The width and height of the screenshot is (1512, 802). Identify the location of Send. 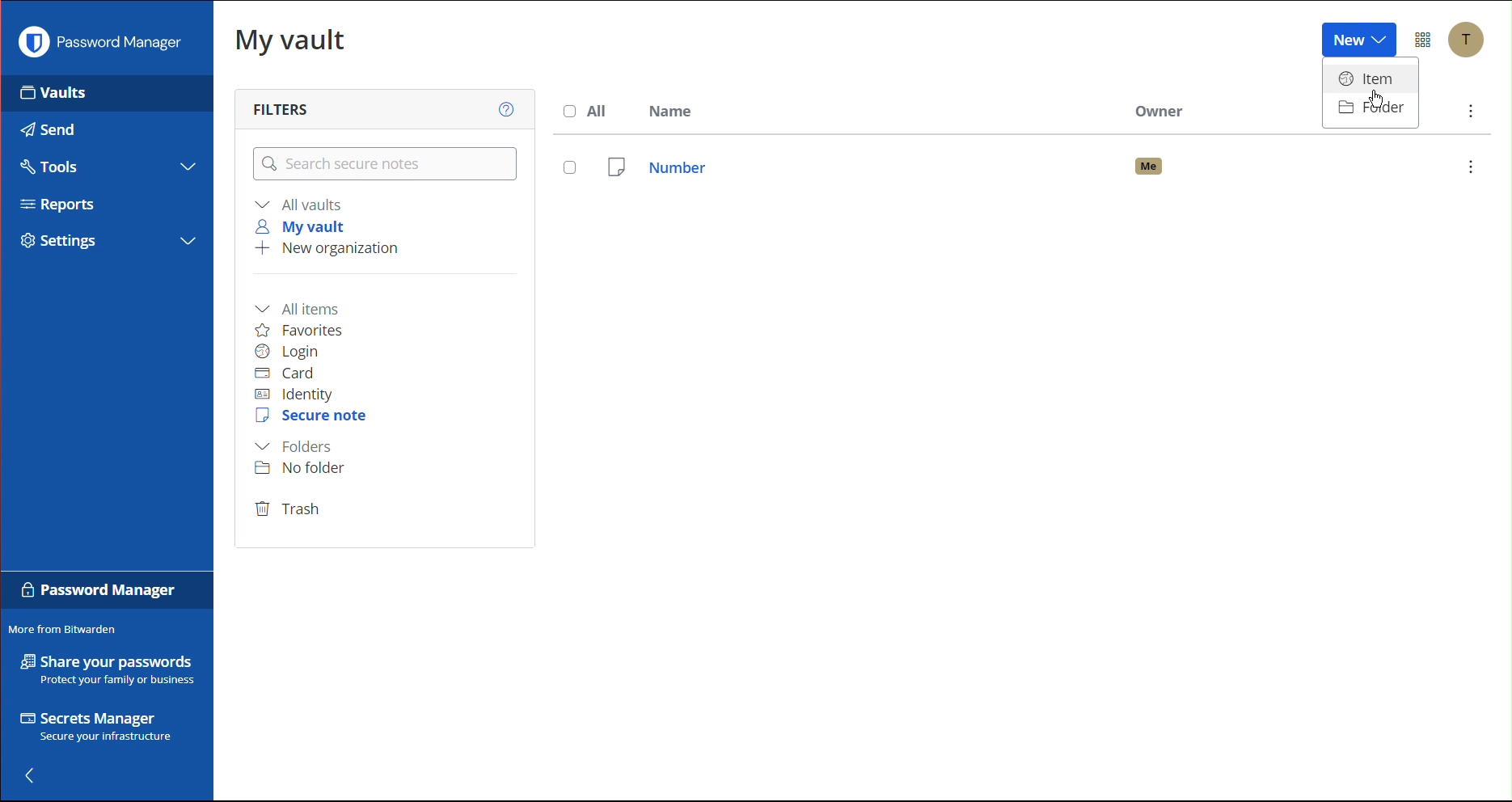
(44, 125).